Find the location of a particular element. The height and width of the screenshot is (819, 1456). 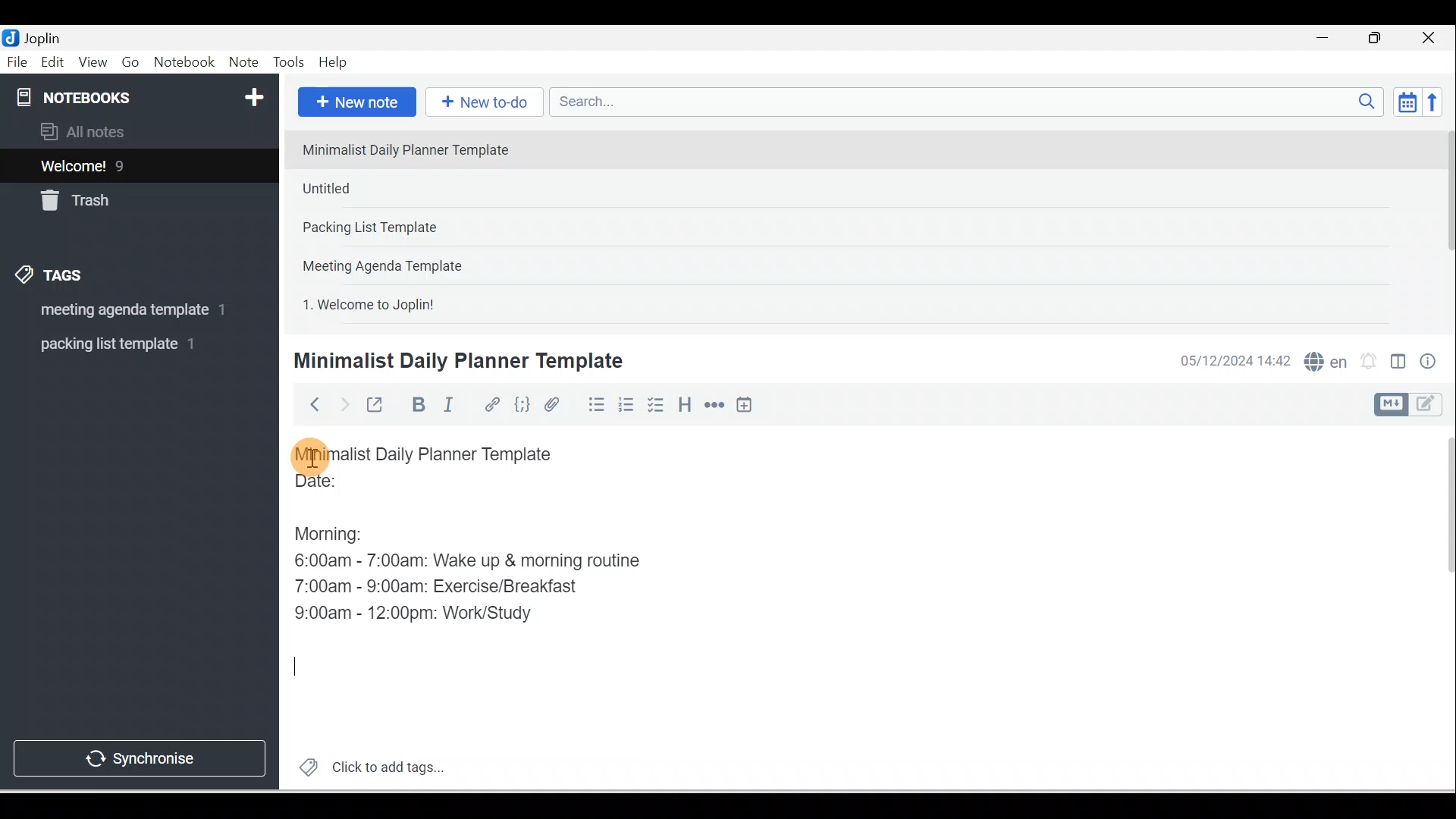

7:00am - 9:00am: Exercise/Breakfast is located at coordinates (439, 585).